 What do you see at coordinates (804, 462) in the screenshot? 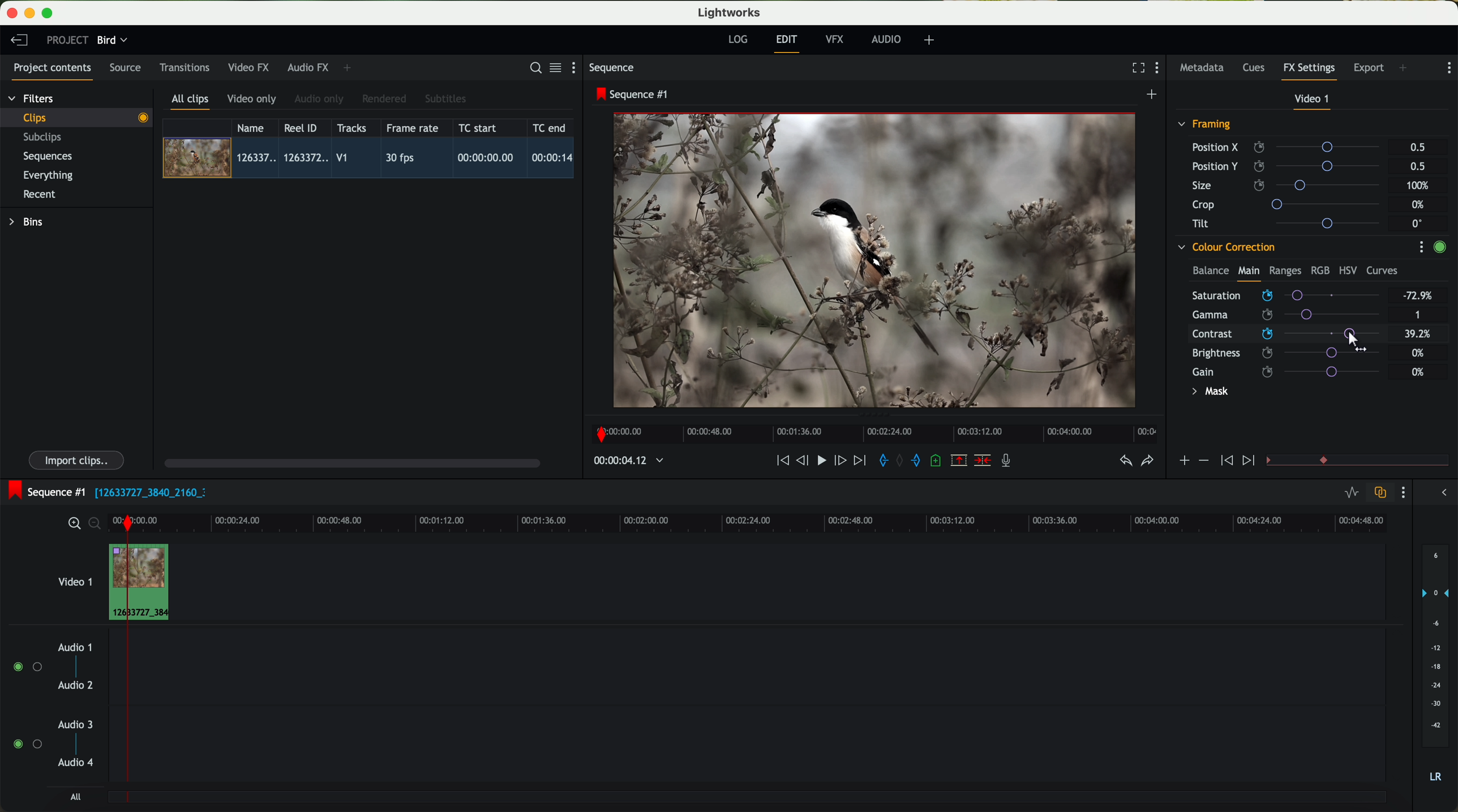
I see `nudge one frame back` at bounding box center [804, 462].